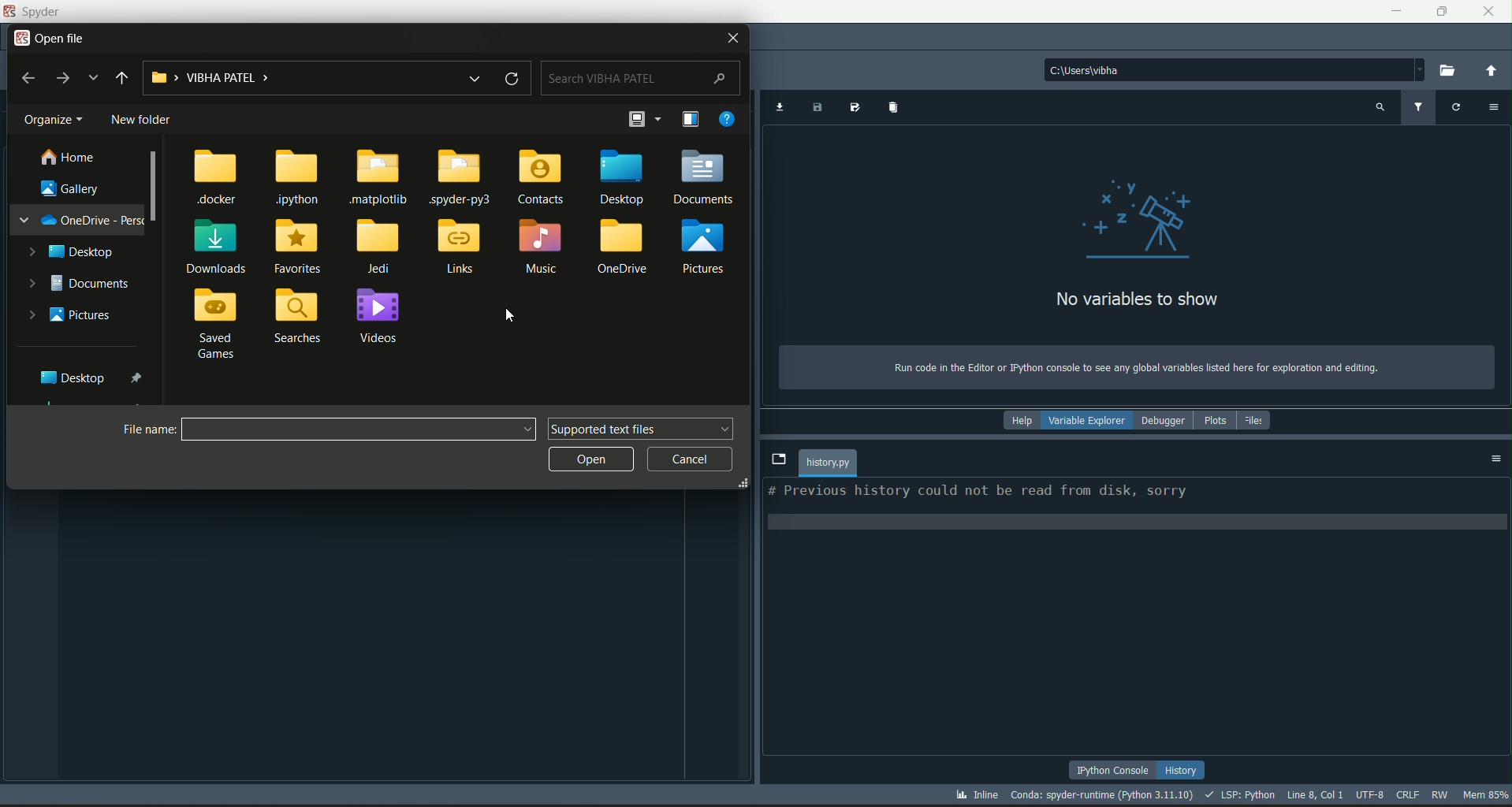 The width and height of the screenshot is (1512, 807). What do you see at coordinates (381, 316) in the screenshot?
I see `videos` at bounding box center [381, 316].